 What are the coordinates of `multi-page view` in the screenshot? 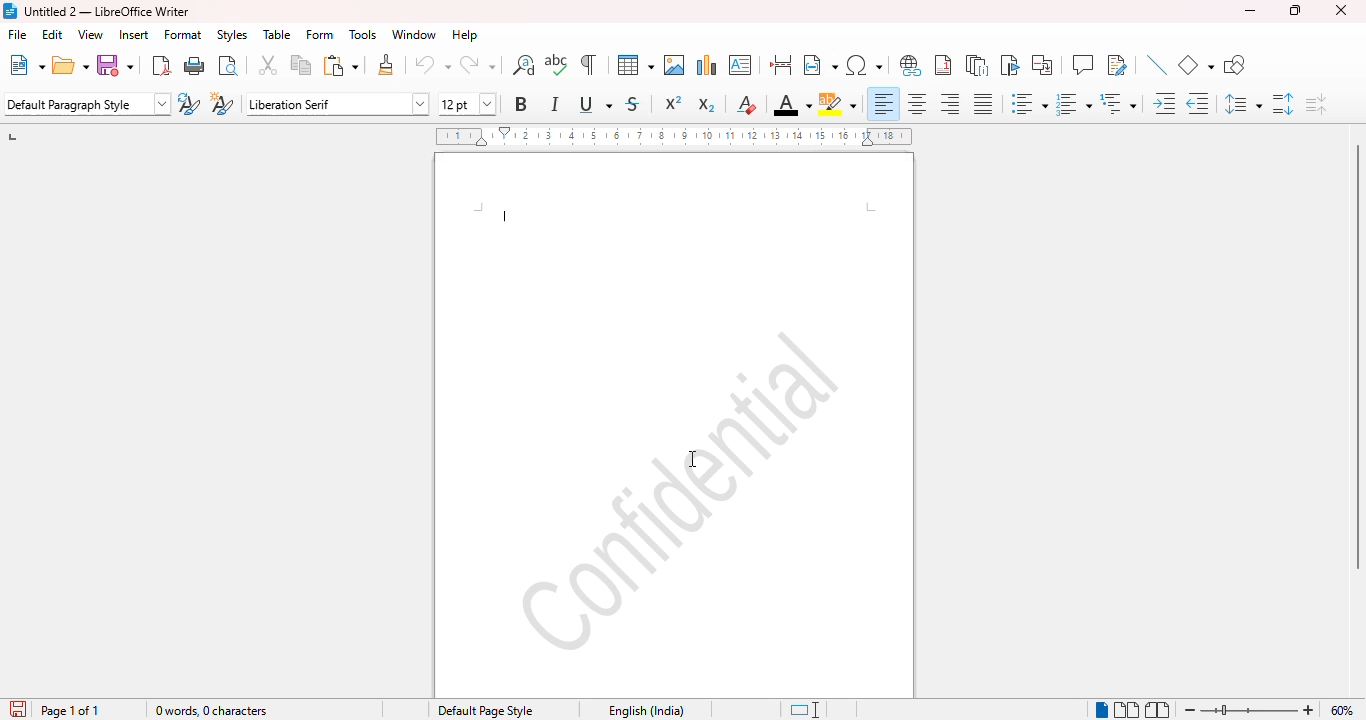 It's located at (1126, 709).